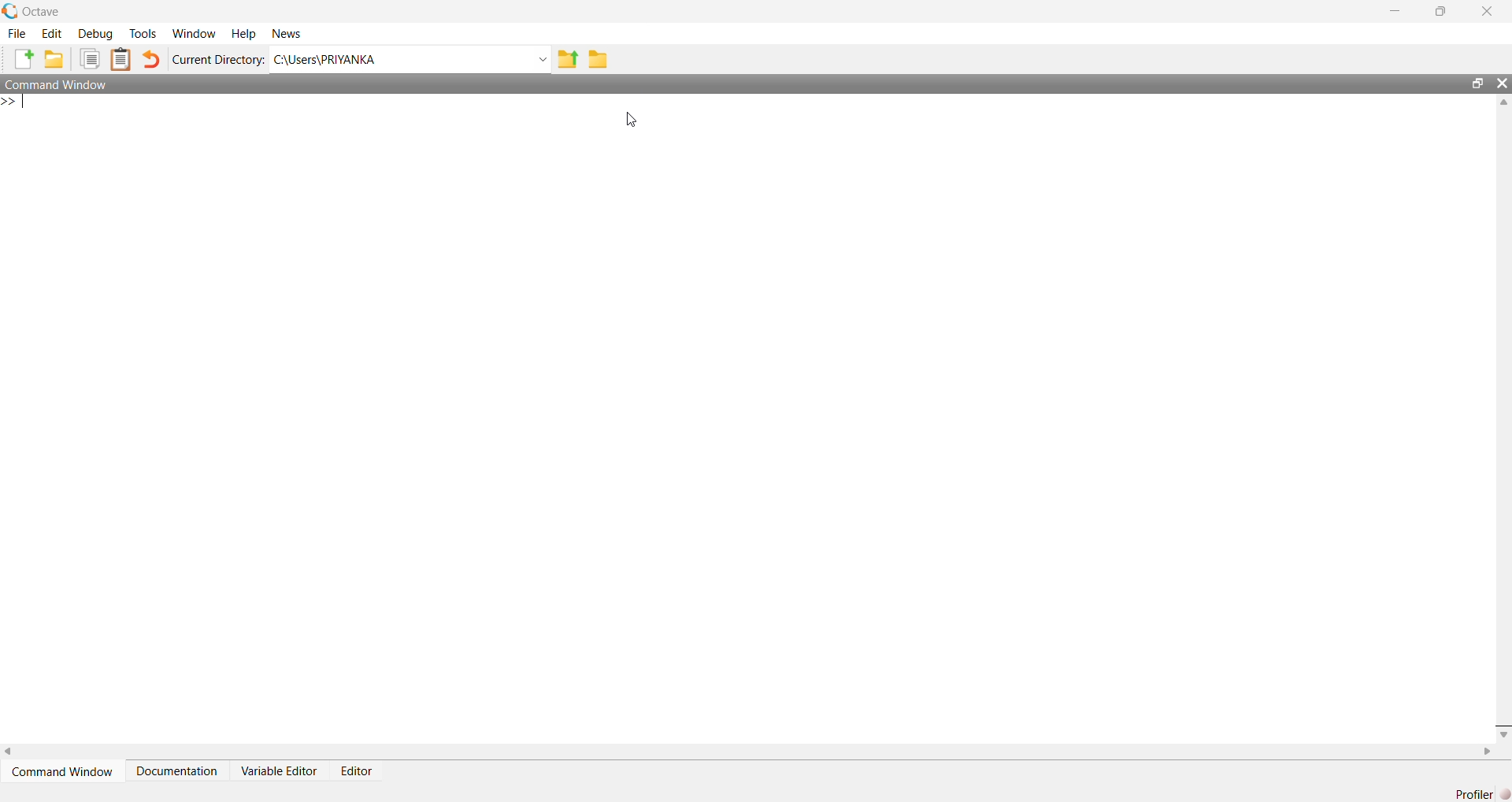 The image size is (1512, 802). I want to click on Folder, so click(597, 60).